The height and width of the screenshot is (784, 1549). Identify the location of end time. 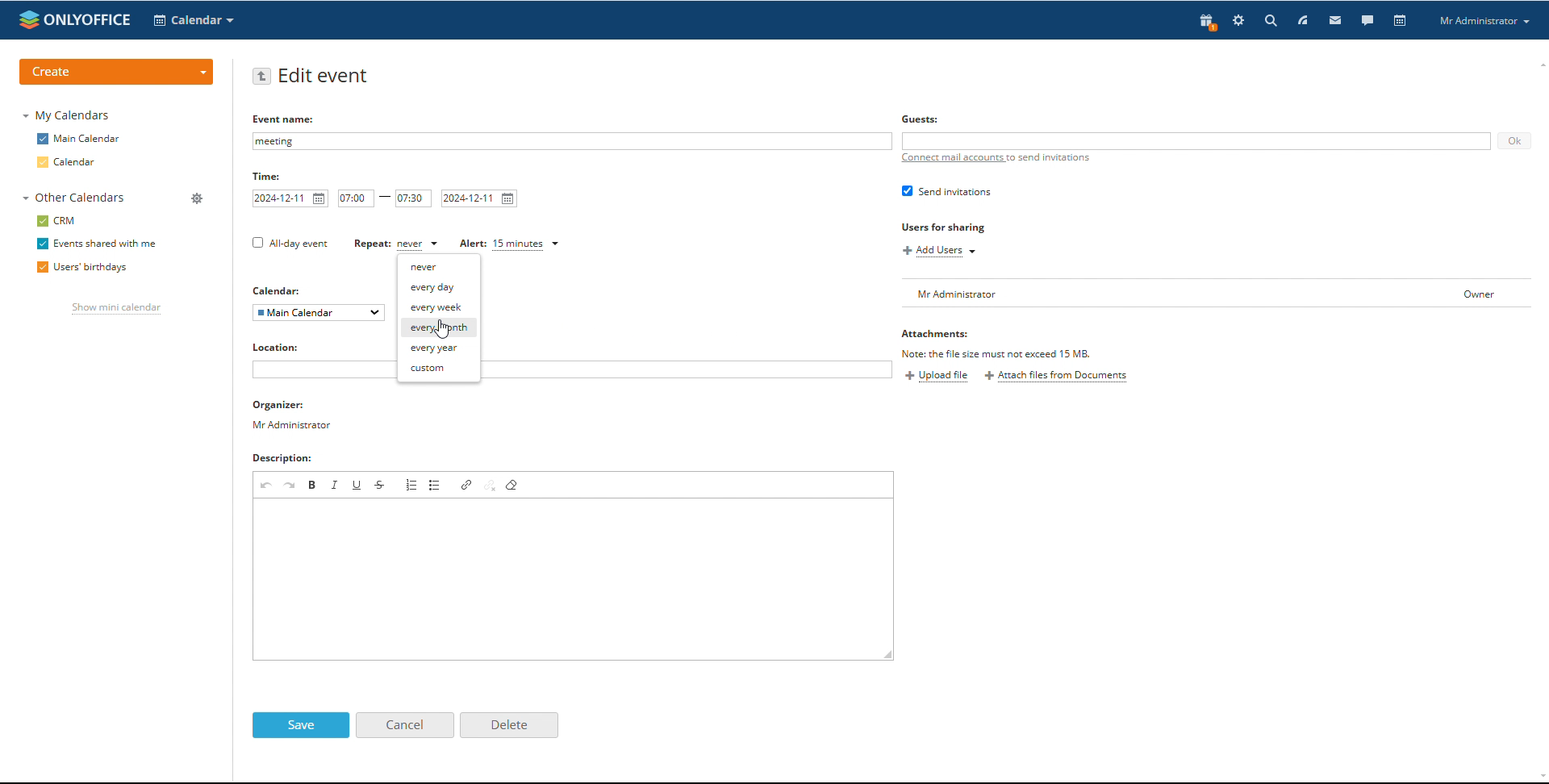
(414, 198).